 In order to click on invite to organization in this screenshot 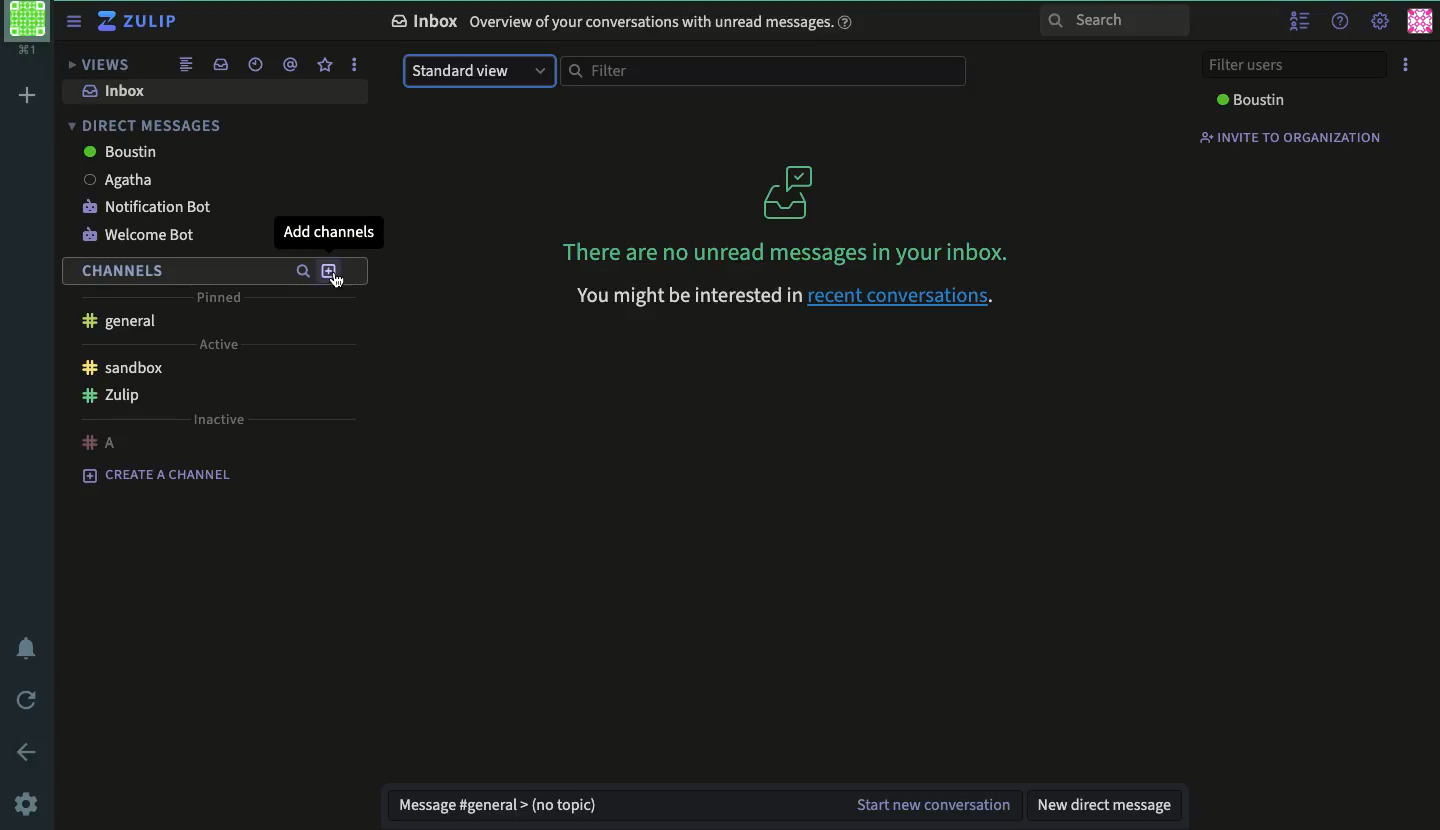, I will do `click(1291, 138)`.